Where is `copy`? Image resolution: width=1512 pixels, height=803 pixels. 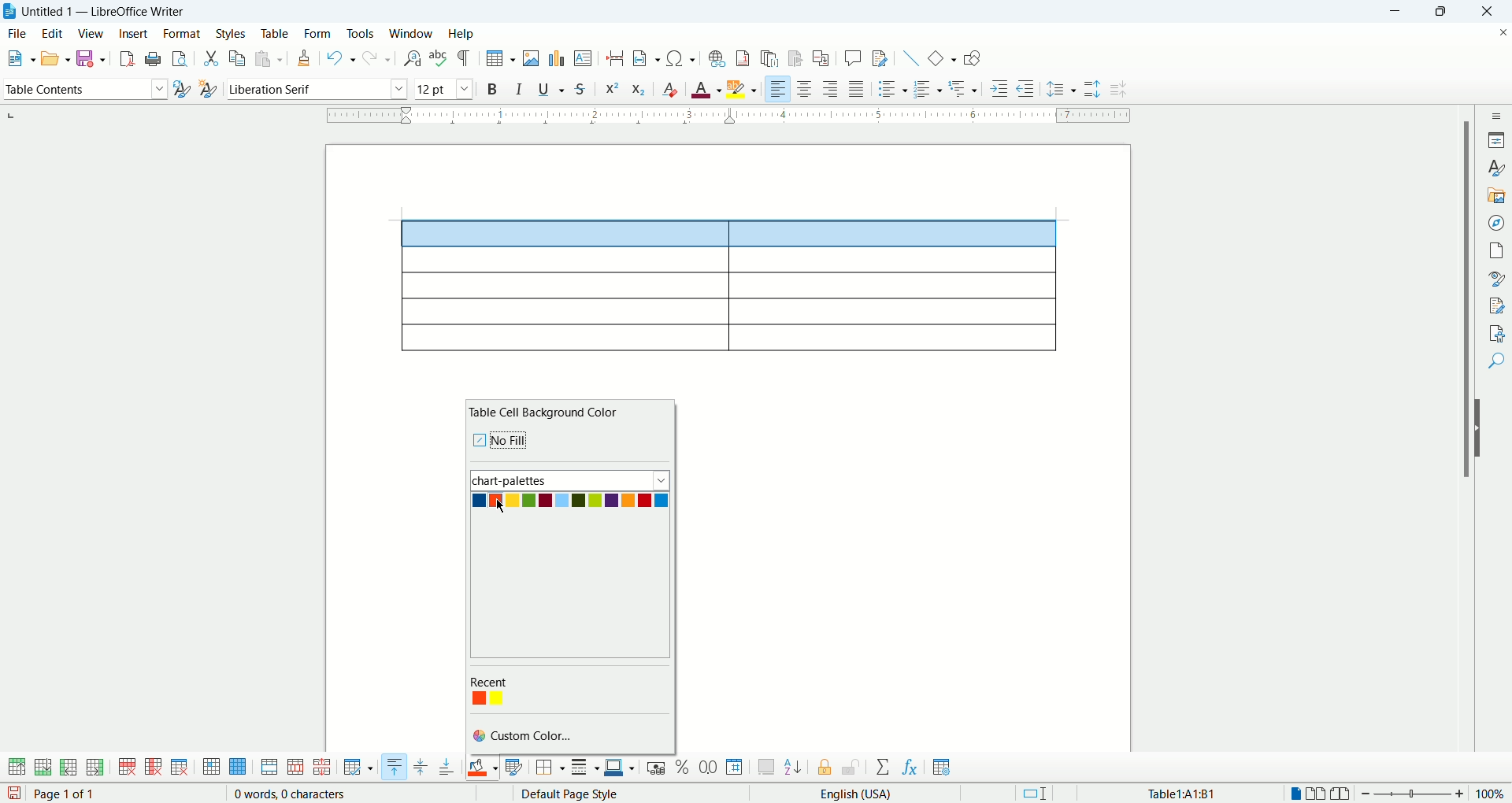 copy is located at coordinates (239, 57).